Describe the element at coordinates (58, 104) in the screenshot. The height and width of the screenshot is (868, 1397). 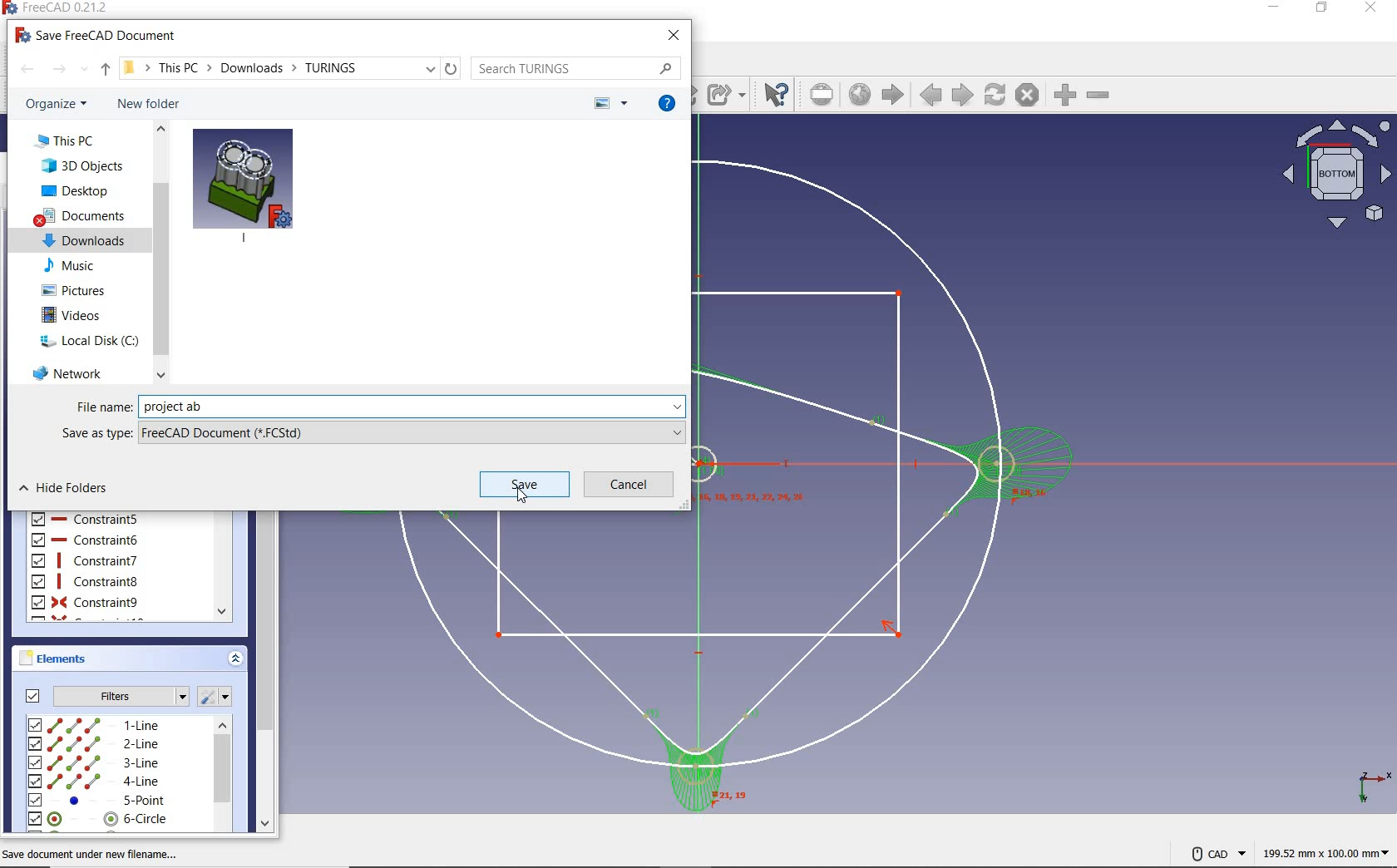
I see `organize` at that location.